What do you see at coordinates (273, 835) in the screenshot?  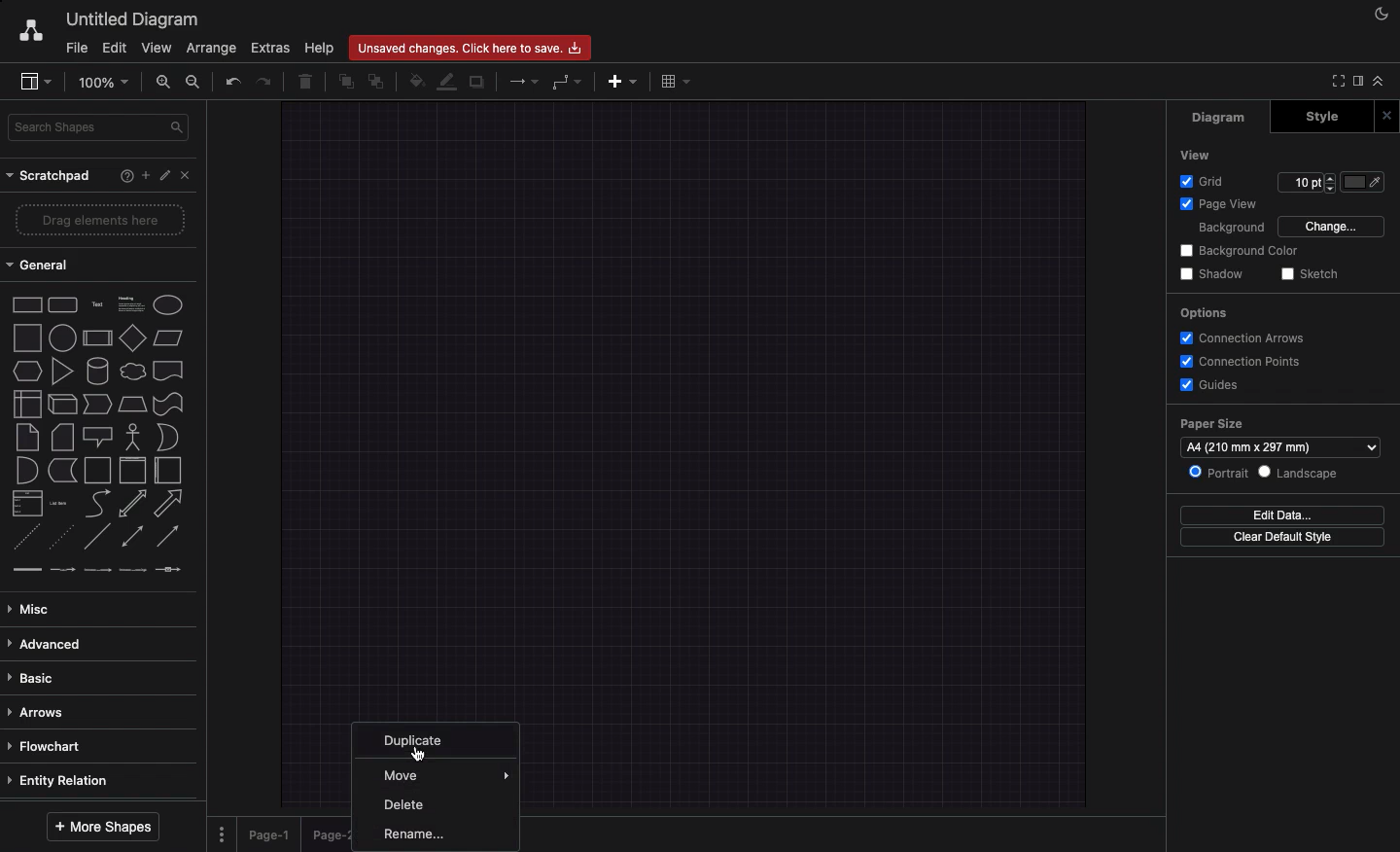 I see `Page 1` at bounding box center [273, 835].